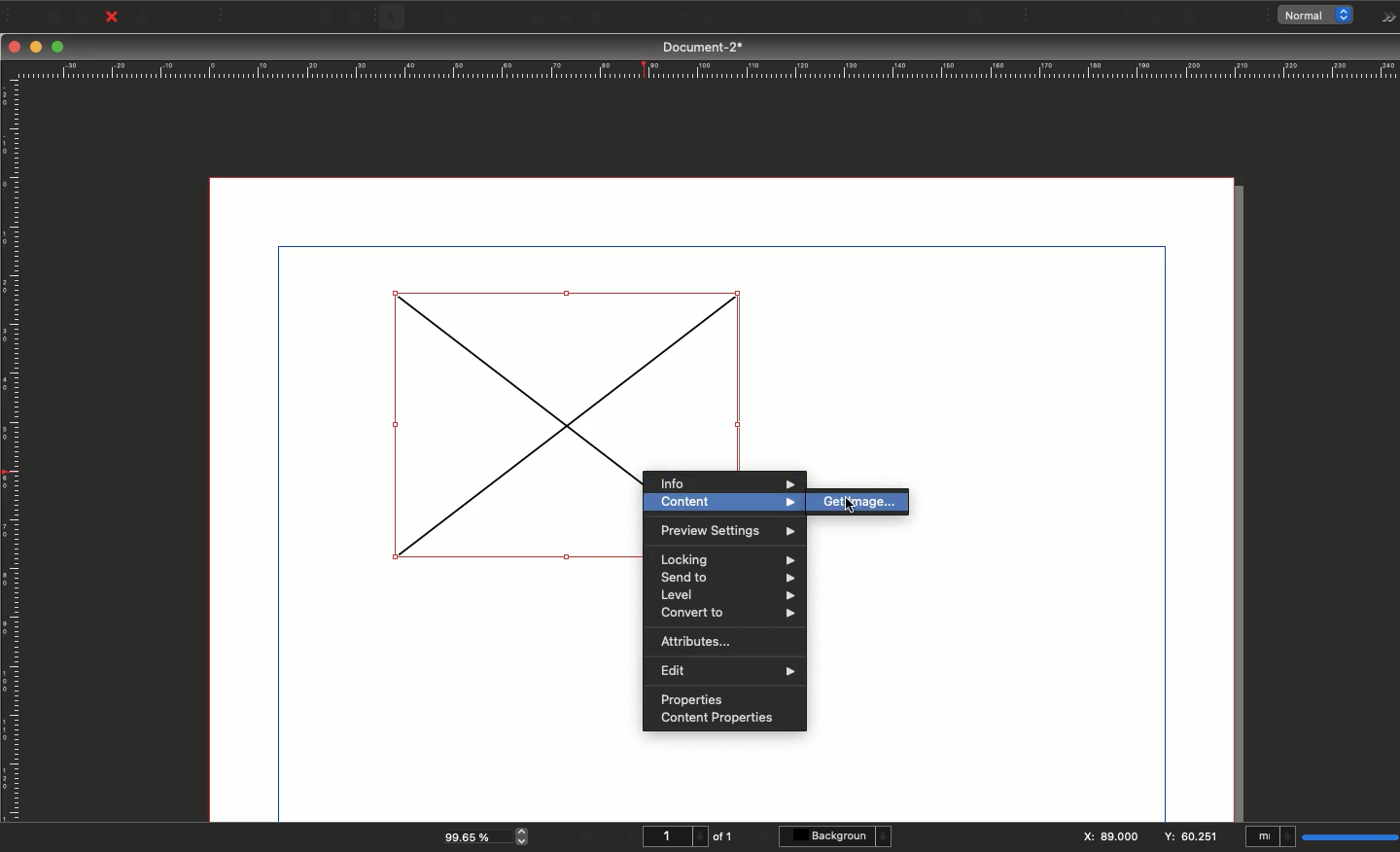  I want to click on Freehand line, so click(708, 18).